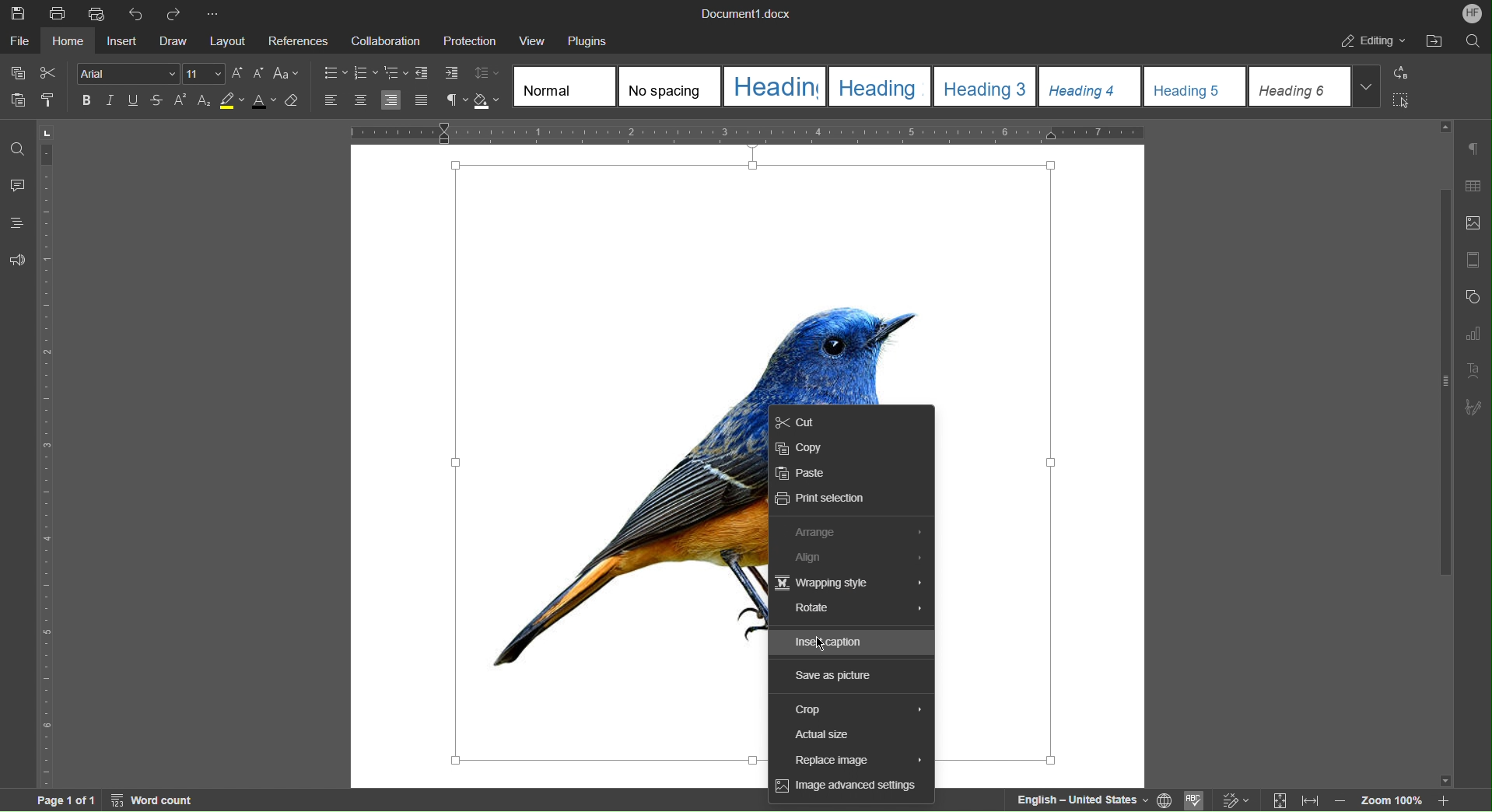  I want to click on English — United States, so click(1079, 799).